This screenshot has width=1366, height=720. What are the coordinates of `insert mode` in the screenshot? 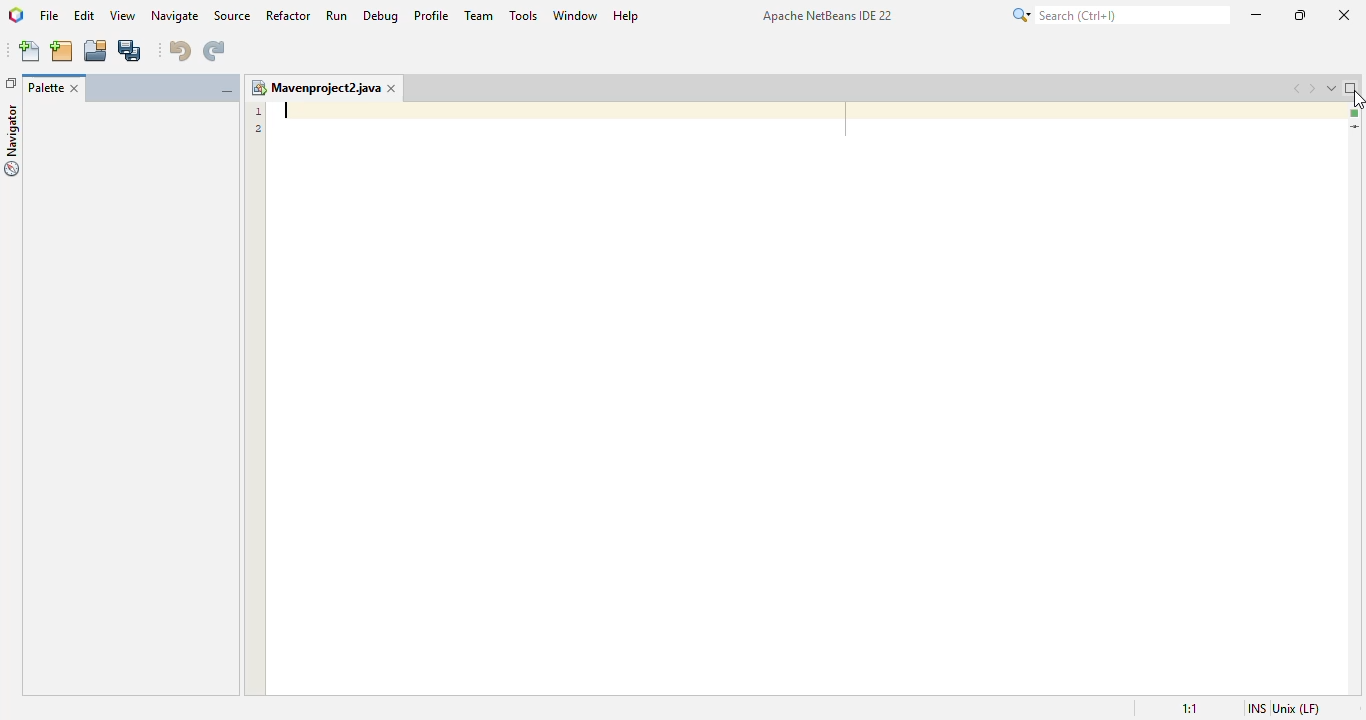 It's located at (1257, 708).